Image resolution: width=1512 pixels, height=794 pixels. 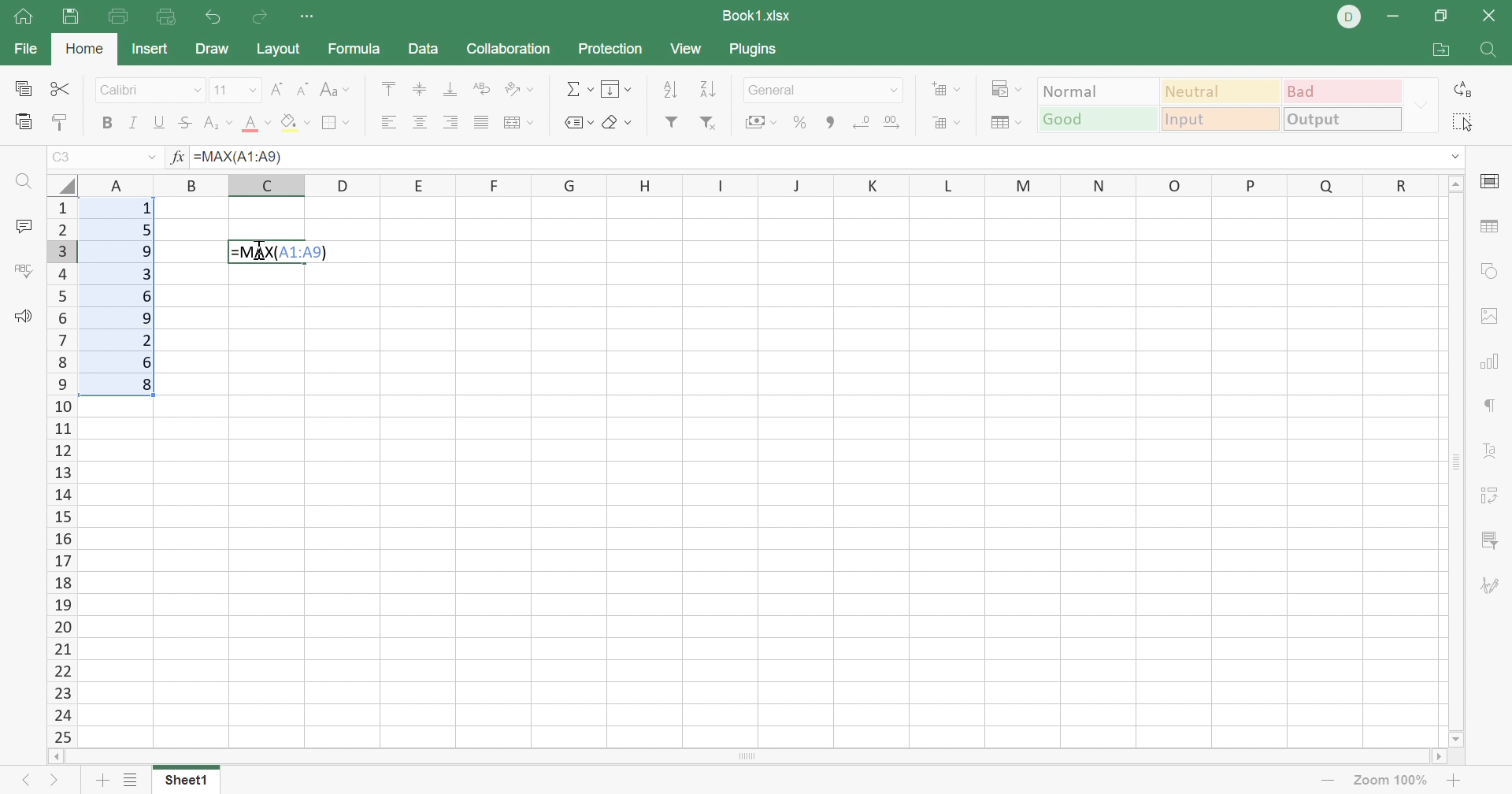 What do you see at coordinates (670, 91) in the screenshot?
I see `Ascending order` at bounding box center [670, 91].